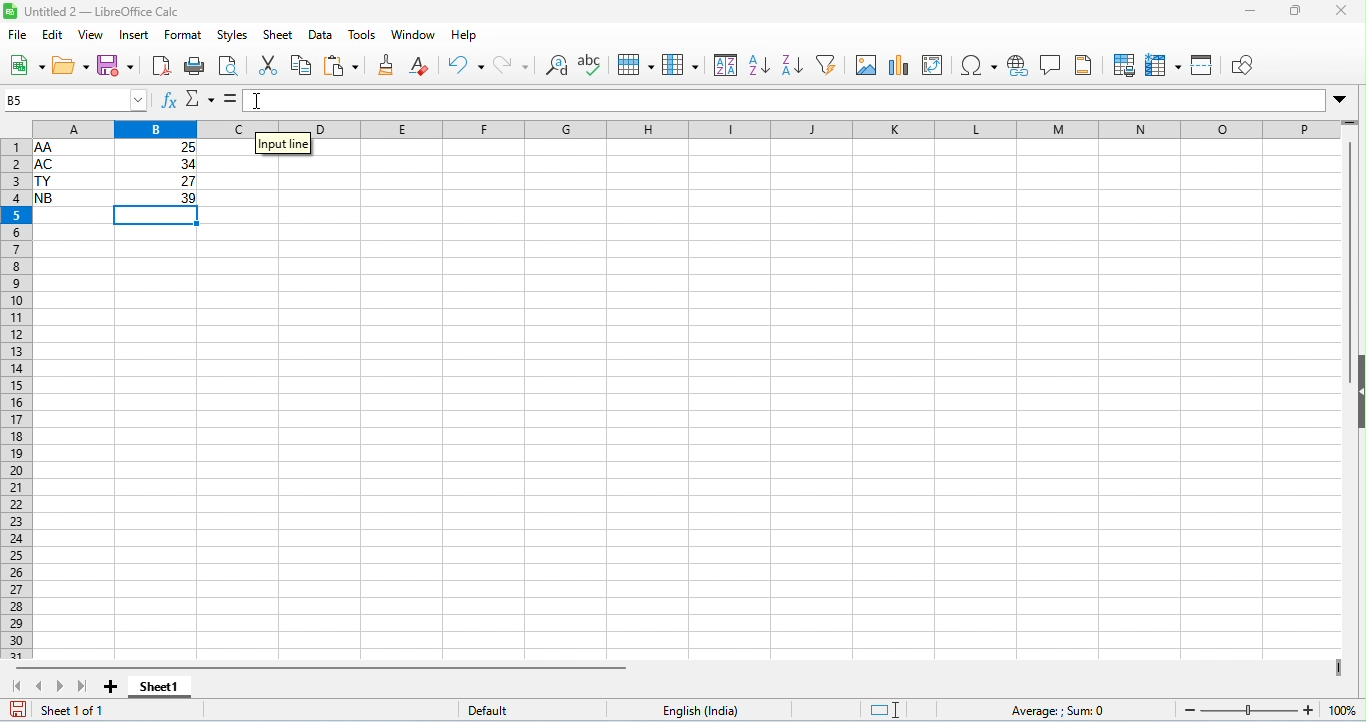 This screenshot has width=1366, height=722. What do you see at coordinates (76, 710) in the screenshot?
I see `sheet 1 of 1` at bounding box center [76, 710].